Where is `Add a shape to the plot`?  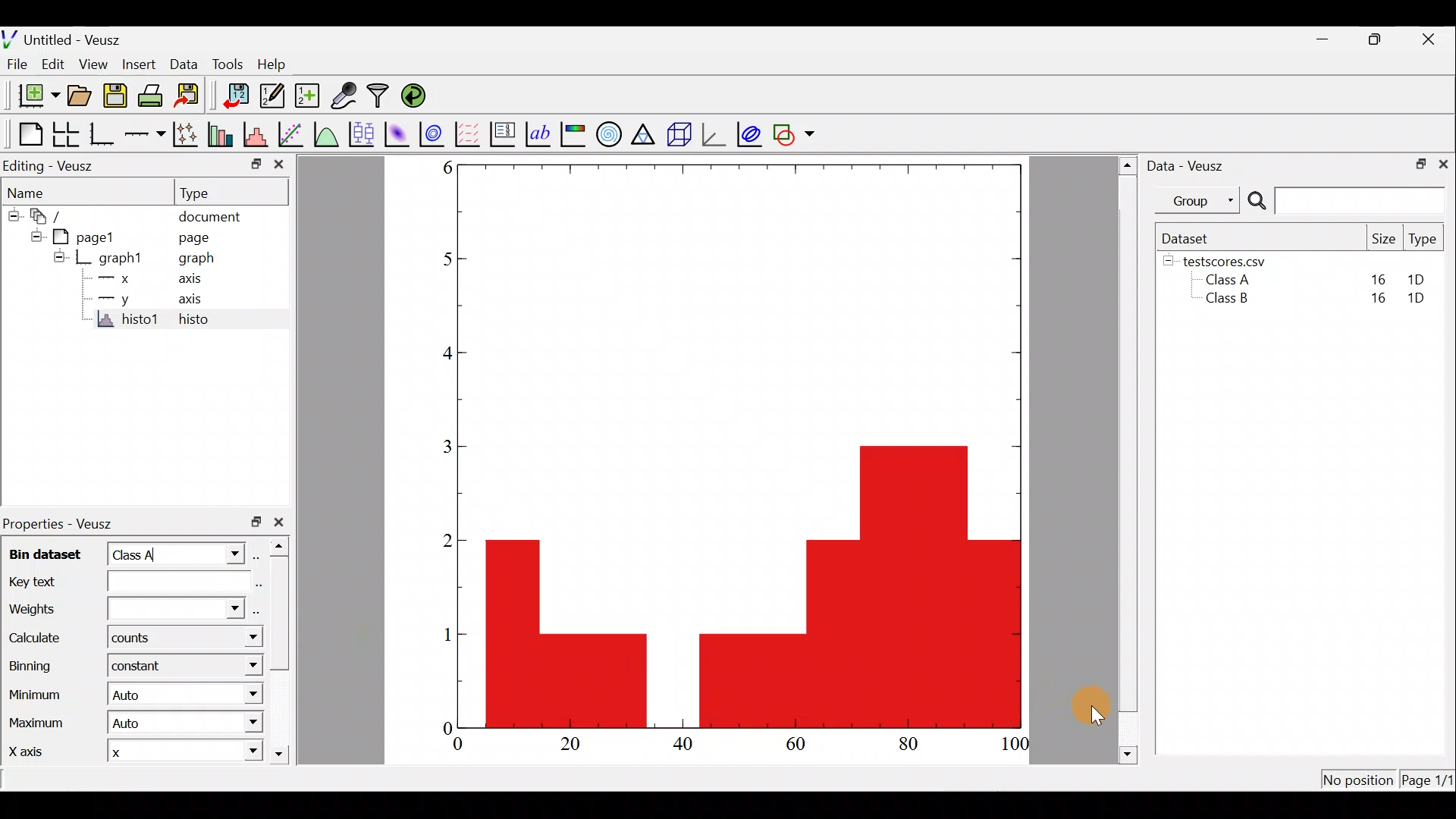 Add a shape to the plot is located at coordinates (797, 134).